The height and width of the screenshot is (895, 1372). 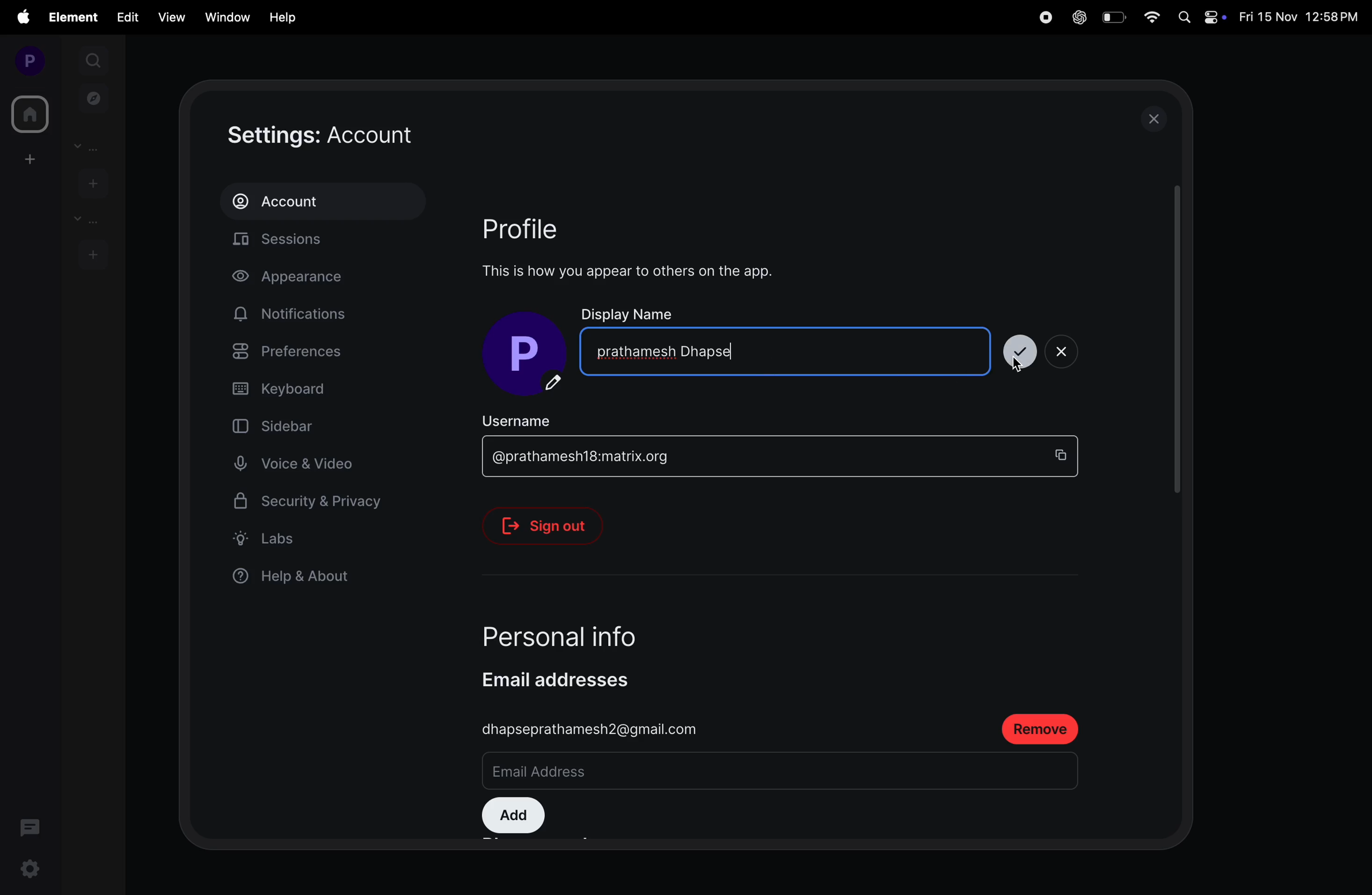 I want to click on home, so click(x=28, y=114).